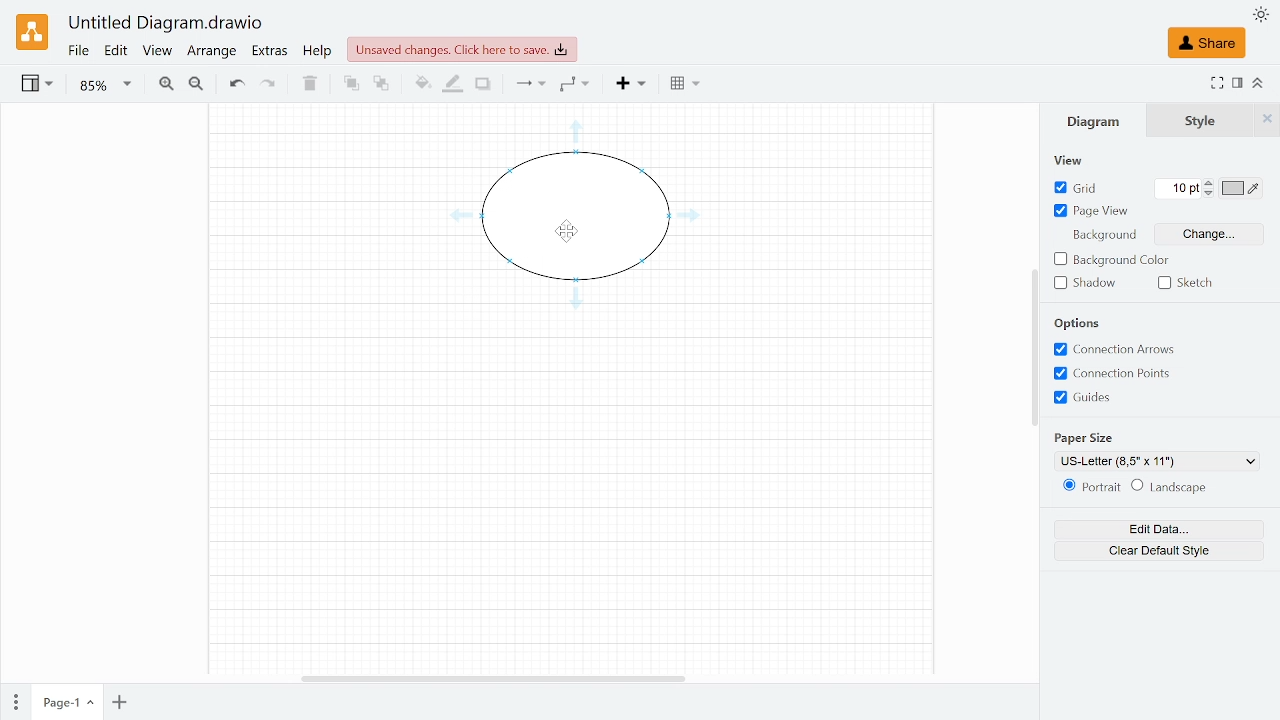  I want to click on GRid, so click(1086, 188).